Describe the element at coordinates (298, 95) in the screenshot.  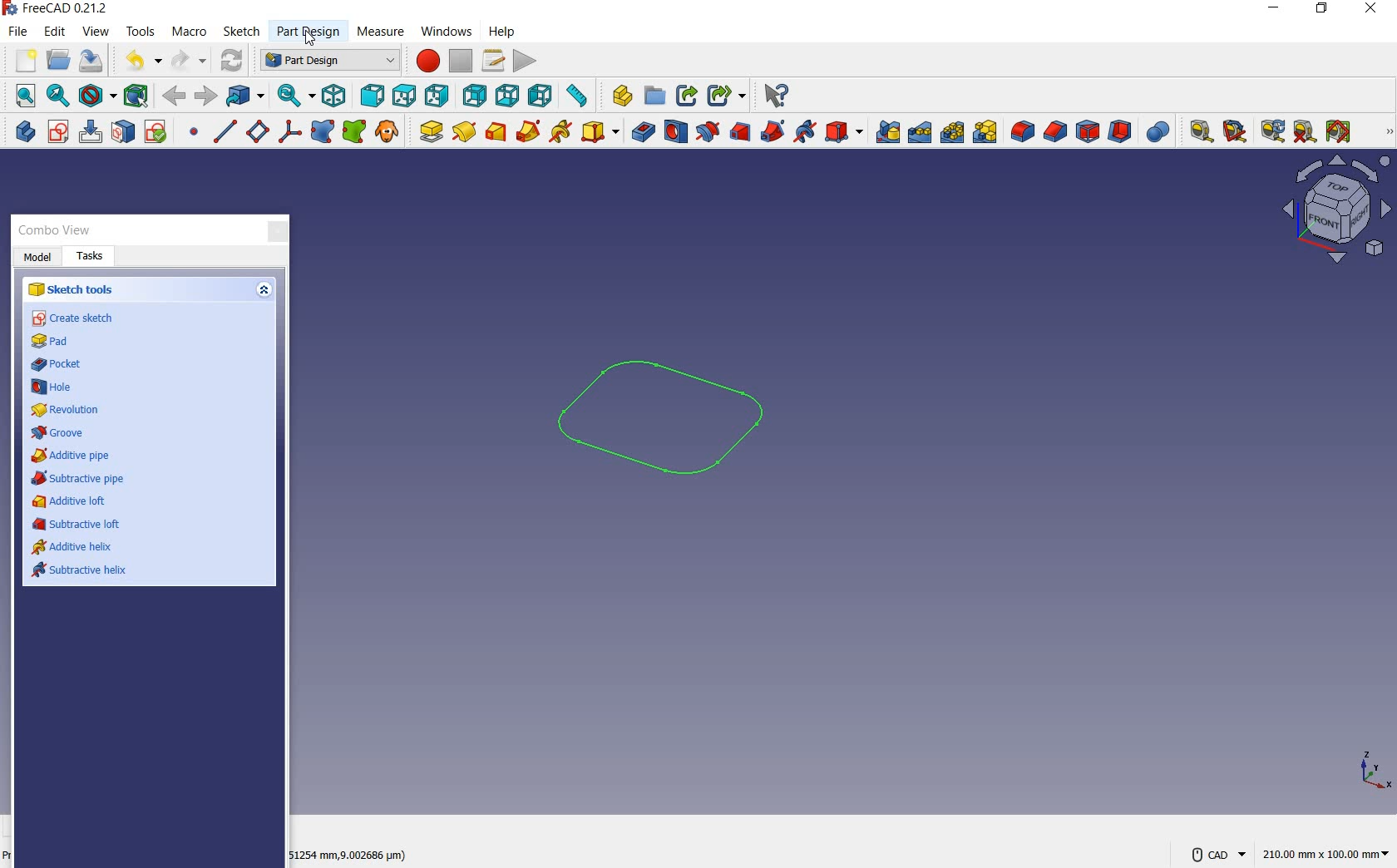
I see `sync view` at that location.